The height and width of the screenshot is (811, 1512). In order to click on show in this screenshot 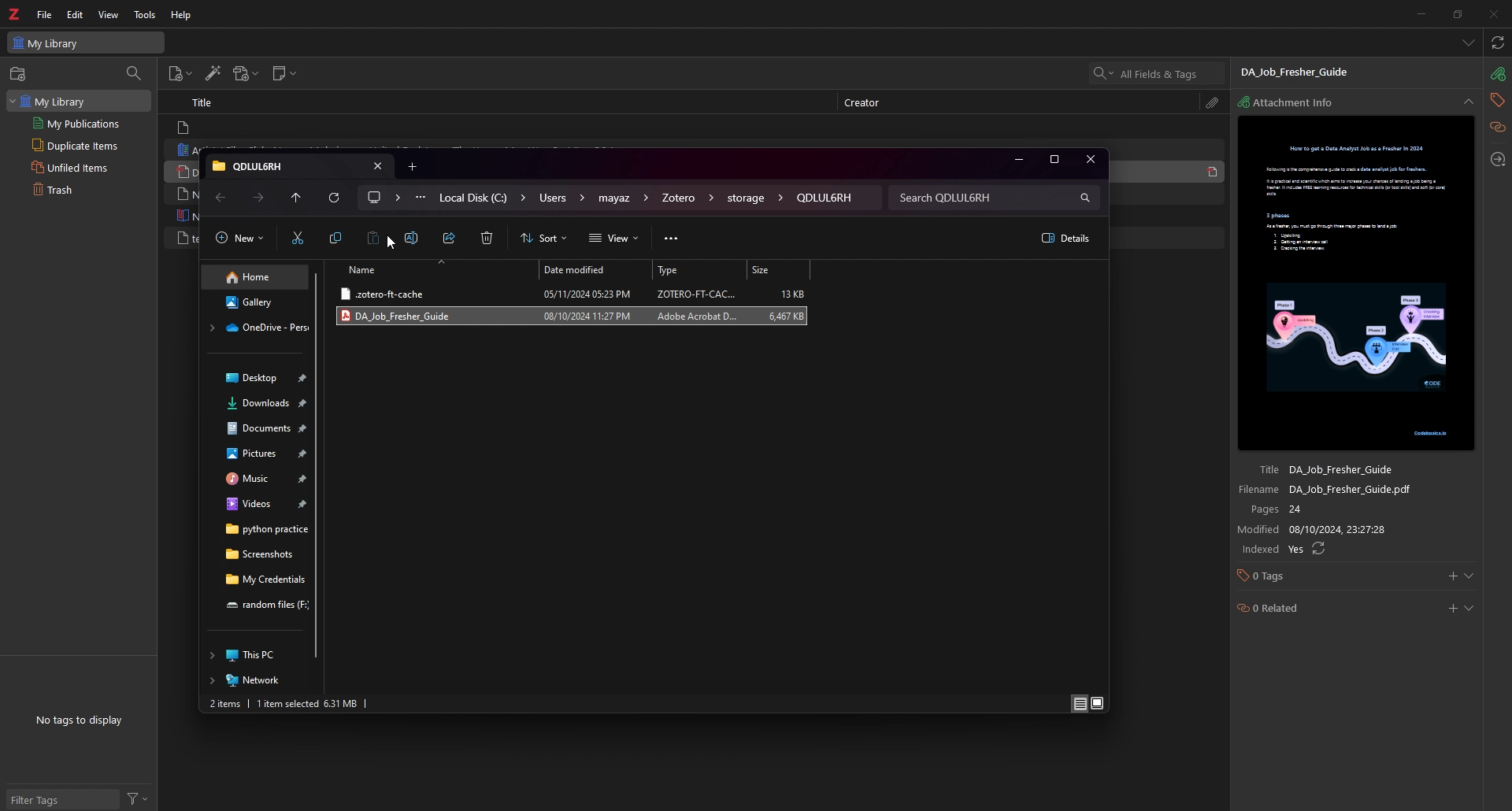, I will do `click(1469, 608)`.